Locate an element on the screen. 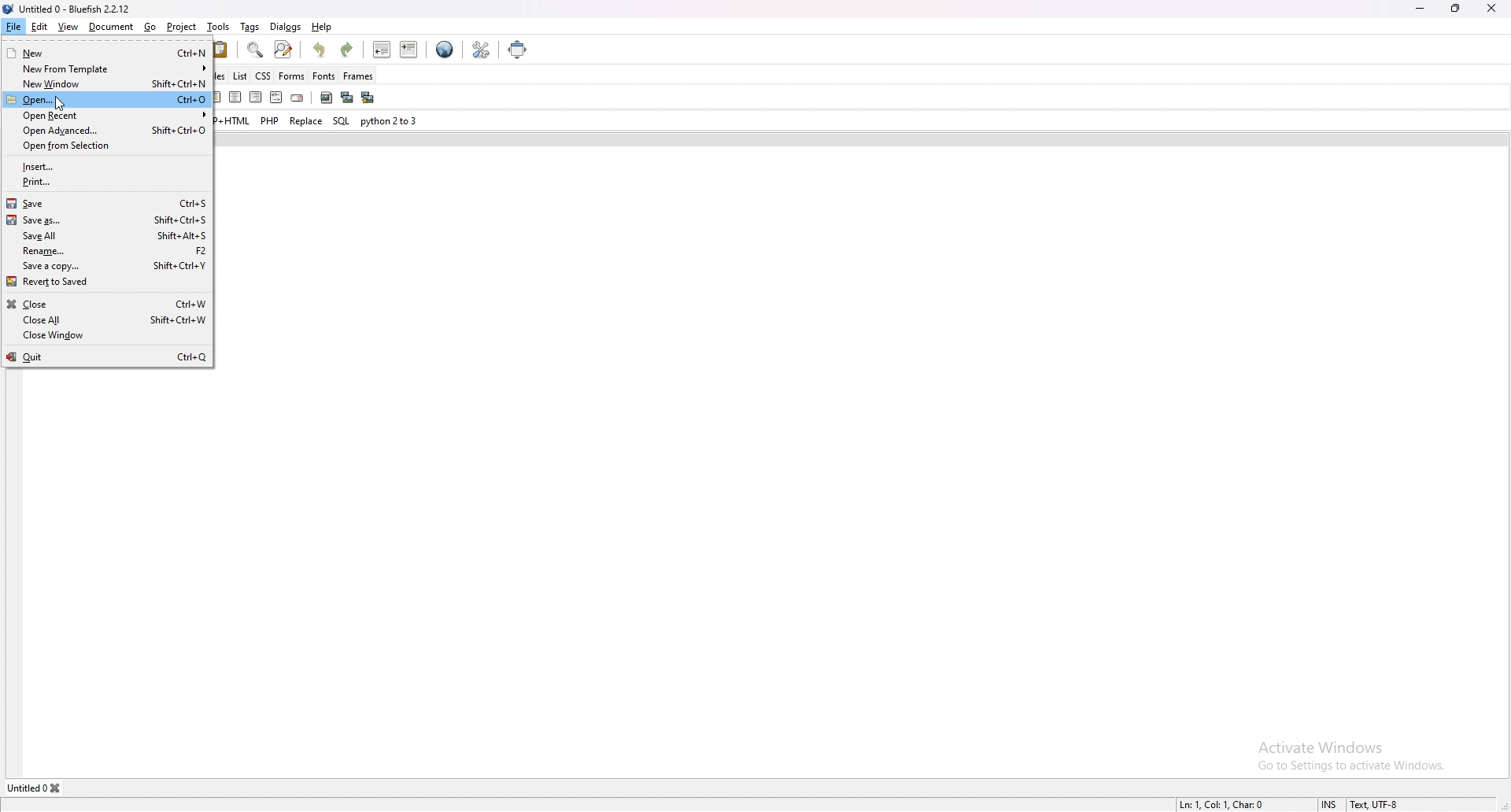  INS is located at coordinates (1332, 804).